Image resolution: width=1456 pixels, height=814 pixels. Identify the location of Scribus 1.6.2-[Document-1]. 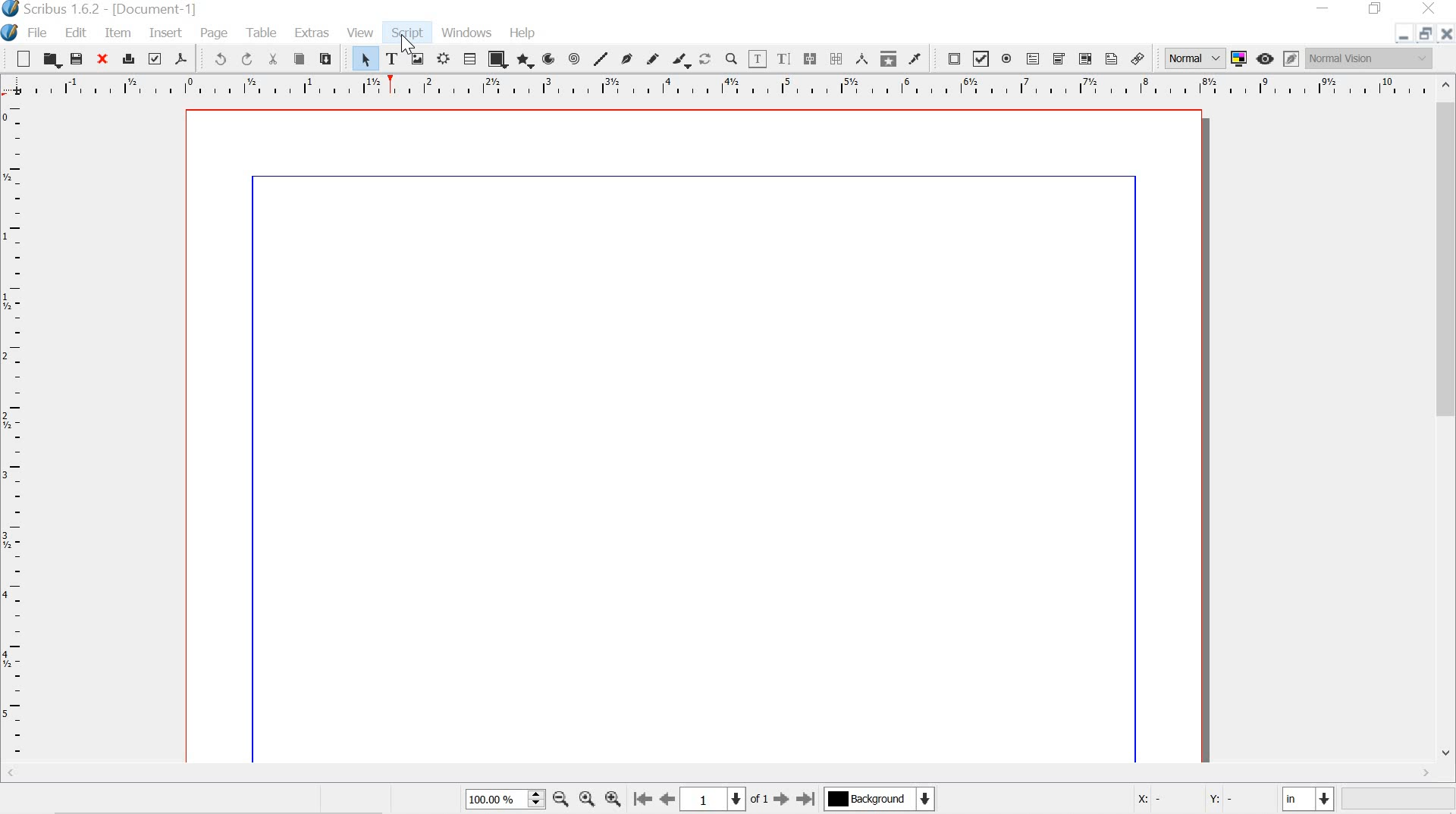
(123, 9).